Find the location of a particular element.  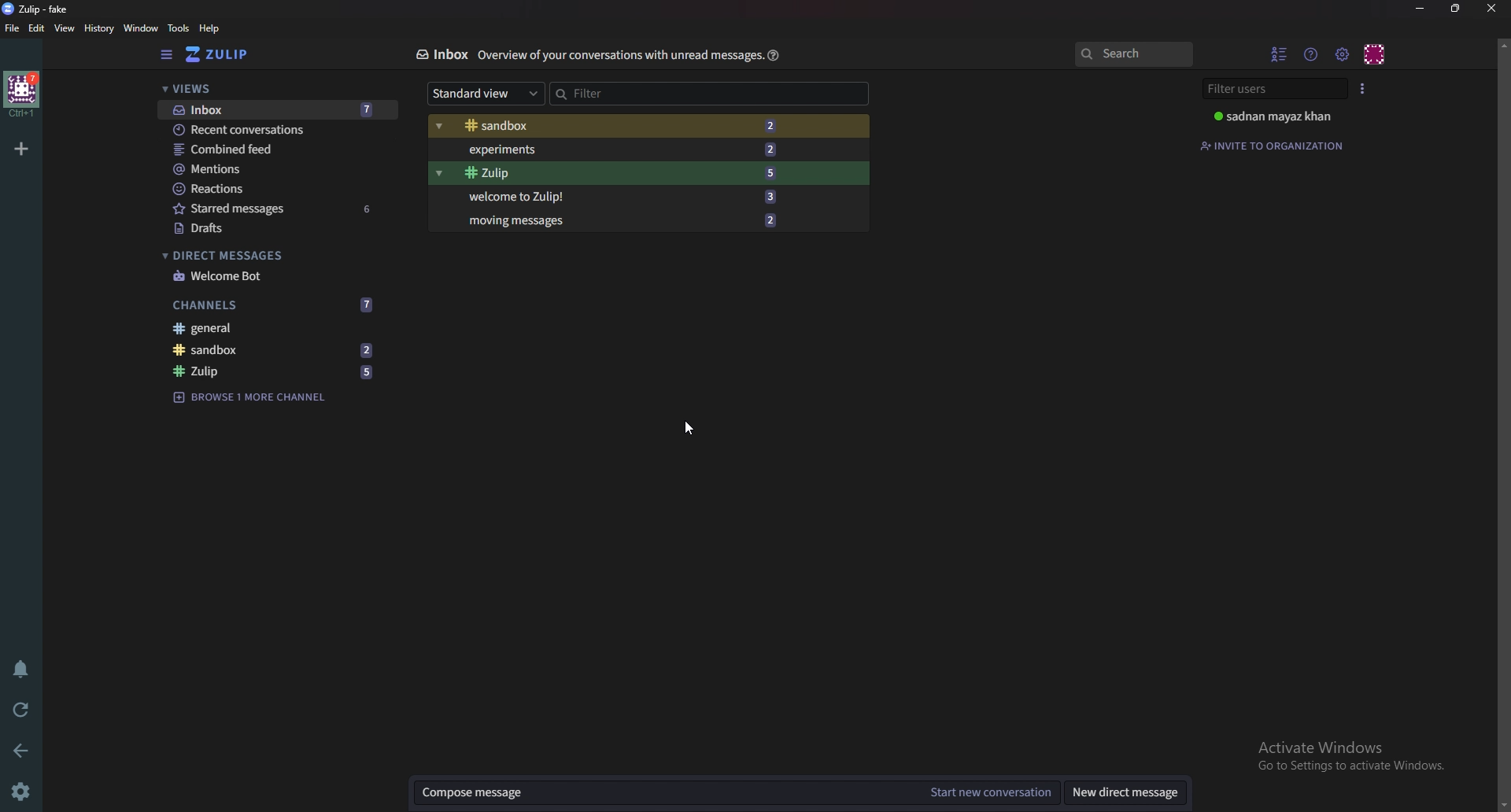

User list style is located at coordinates (1362, 88).